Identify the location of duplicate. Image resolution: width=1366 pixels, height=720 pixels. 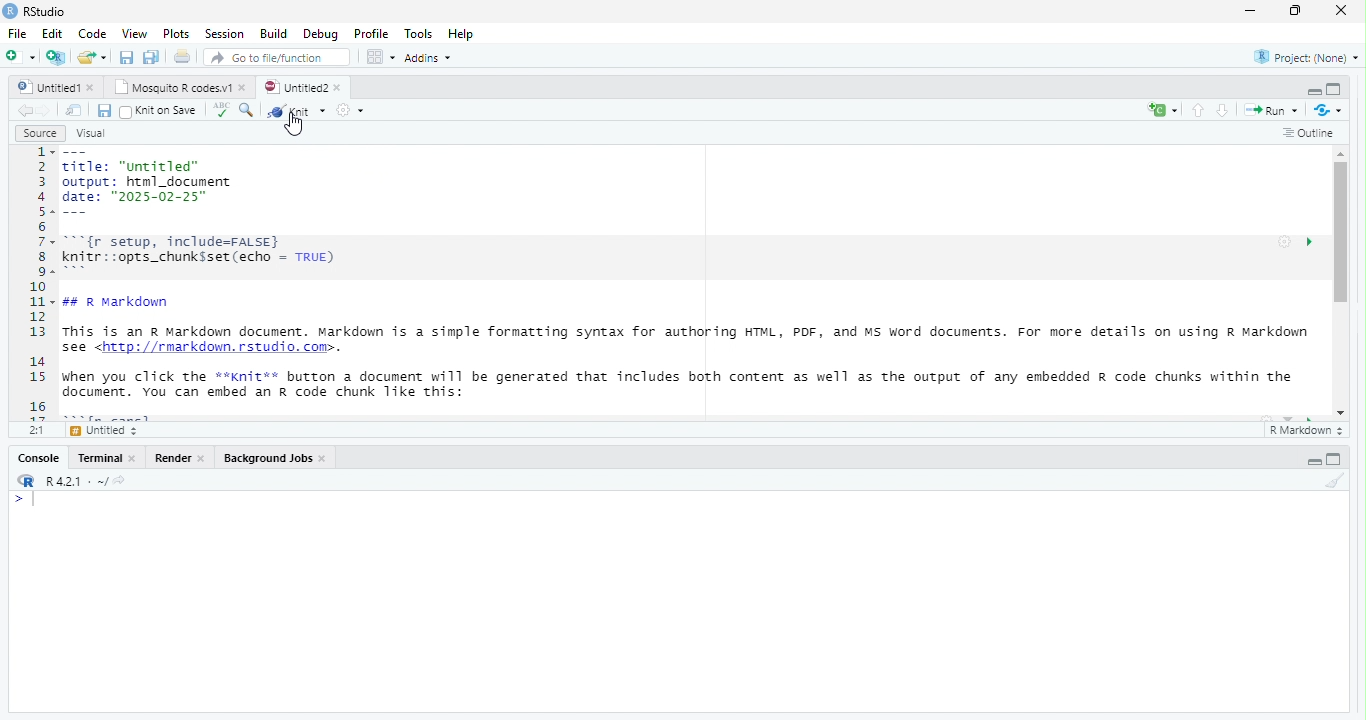
(152, 57).